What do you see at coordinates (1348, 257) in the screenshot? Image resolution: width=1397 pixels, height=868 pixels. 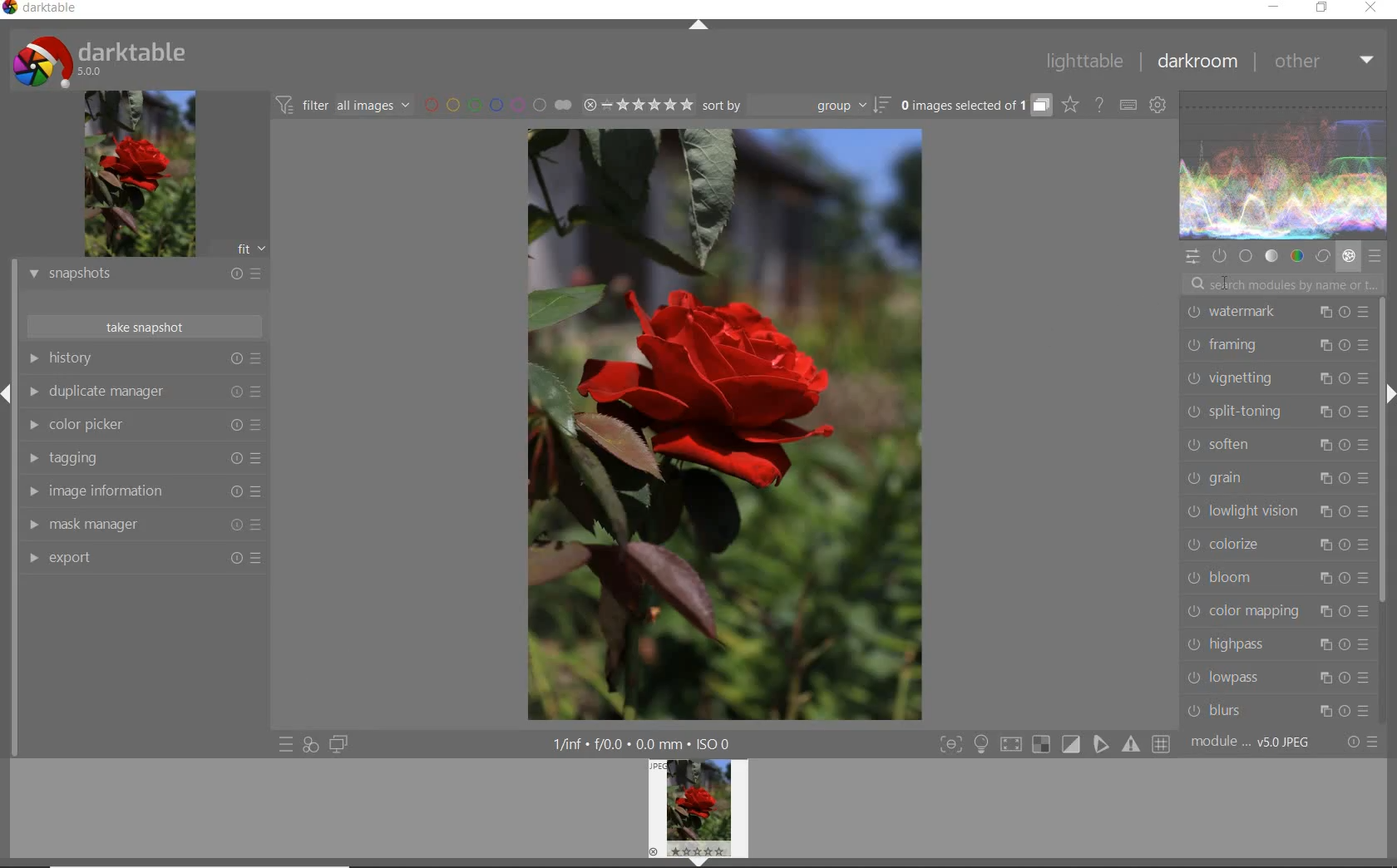 I see `effect` at bounding box center [1348, 257].